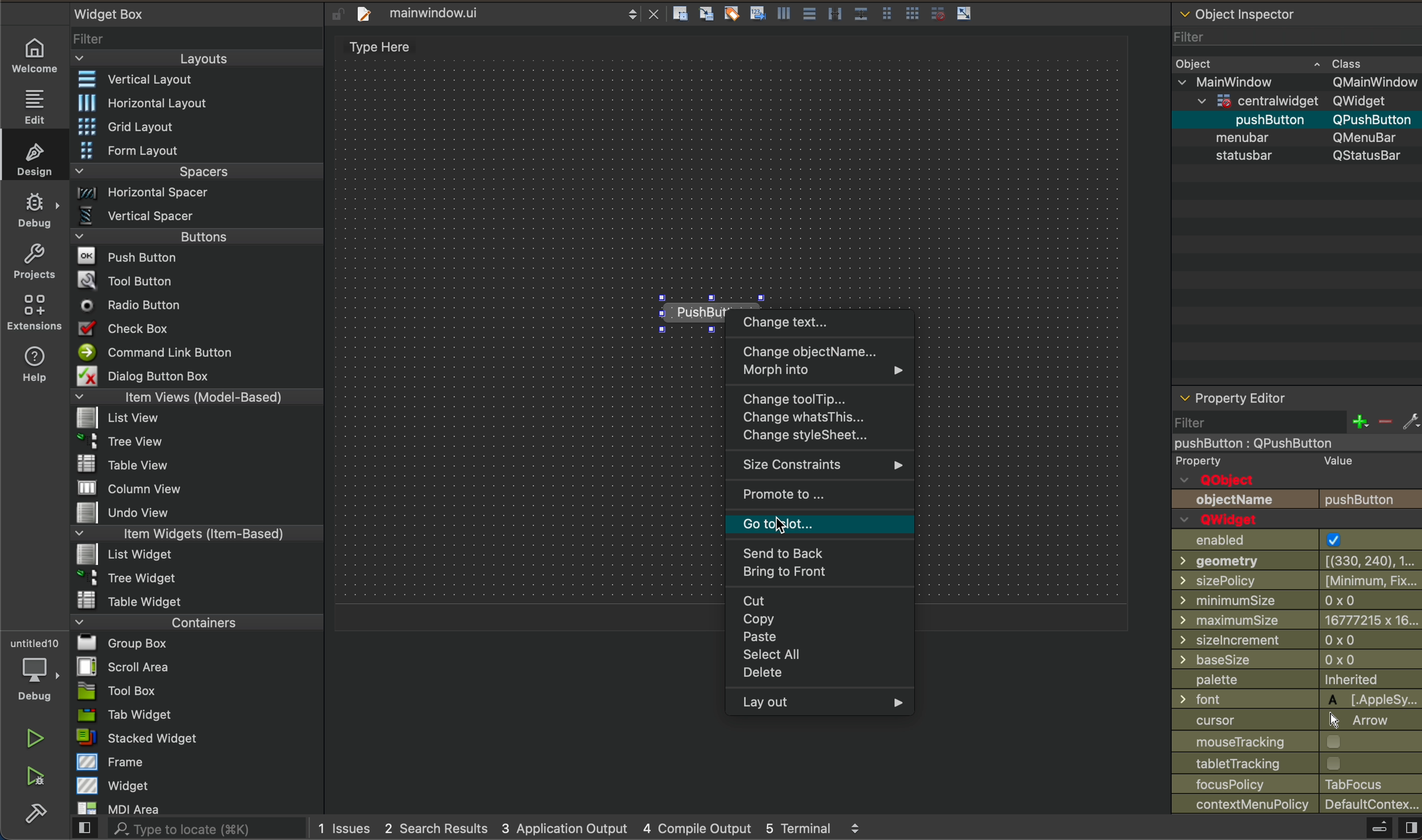  What do you see at coordinates (198, 398) in the screenshot?
I see `items views` at bounding box center [198, 398].